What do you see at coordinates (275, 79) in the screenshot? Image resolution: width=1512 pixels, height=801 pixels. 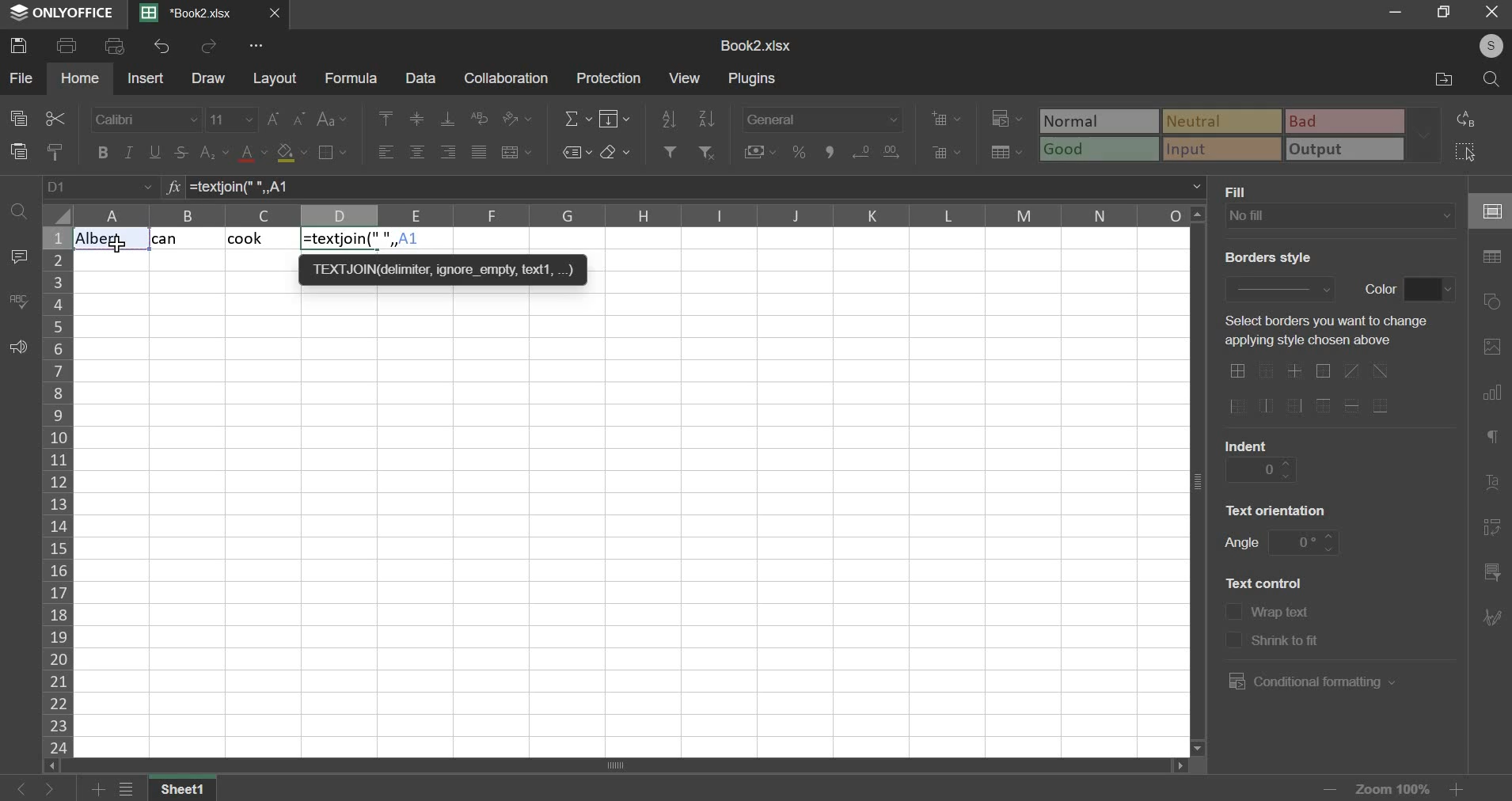 I see `layout` at bounding box center [275, 79].